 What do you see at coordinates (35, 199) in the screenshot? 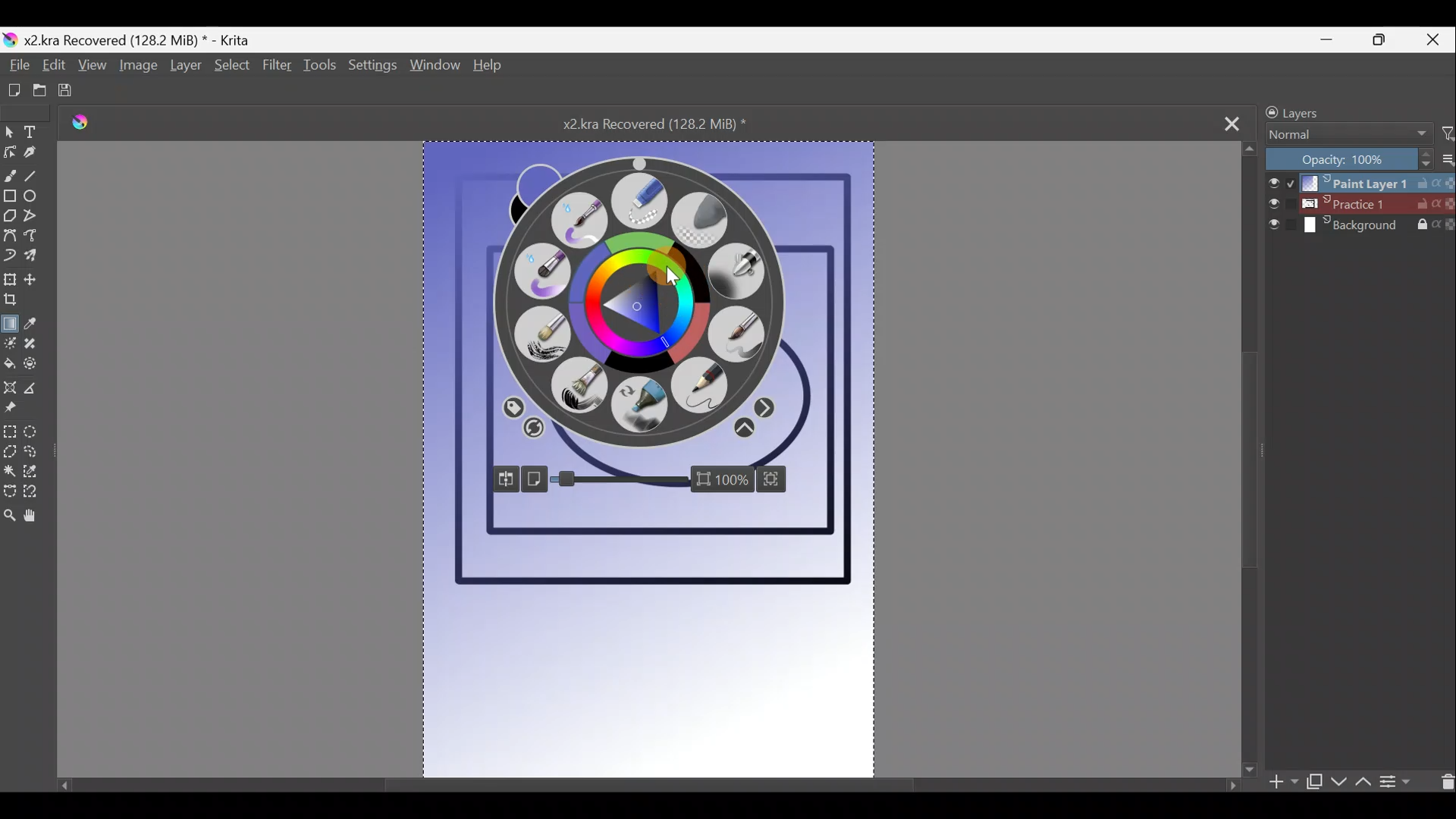
I see `Ellipse tool` at bounding box center [35, 199].